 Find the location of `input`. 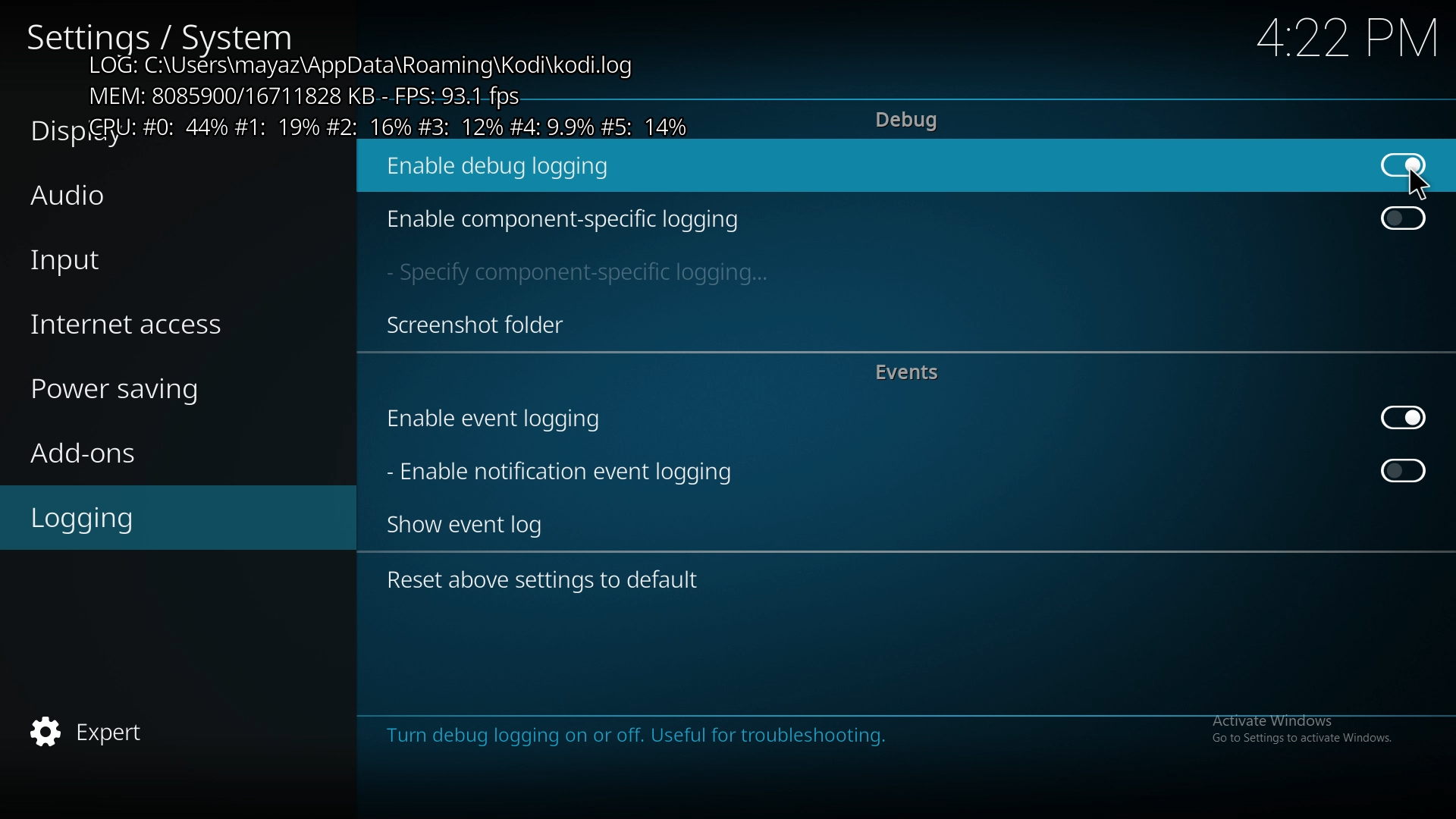

input is located at coordinates (164, 262).